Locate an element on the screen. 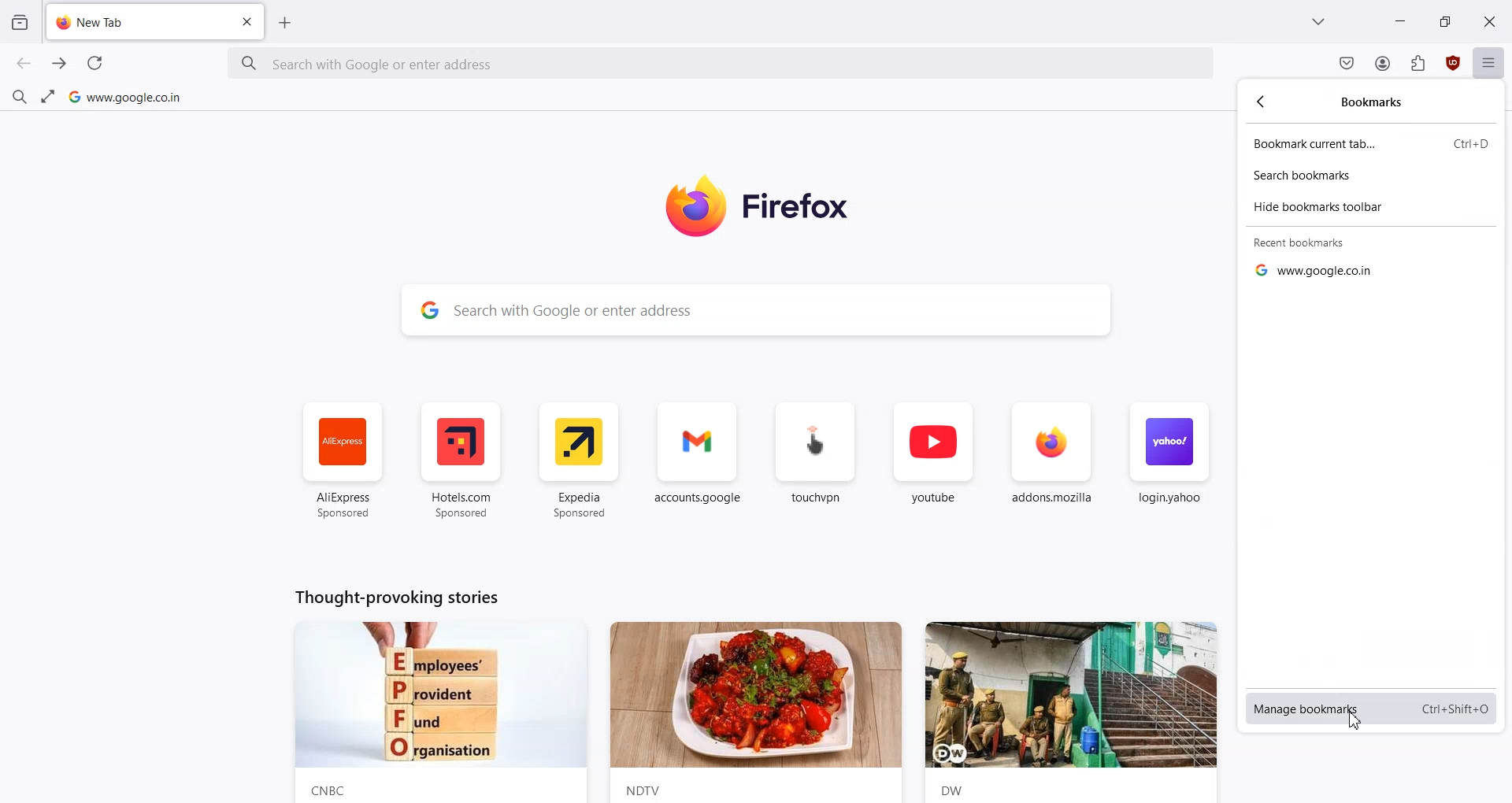  login.yahoo is located at coordinates (1168, 462).